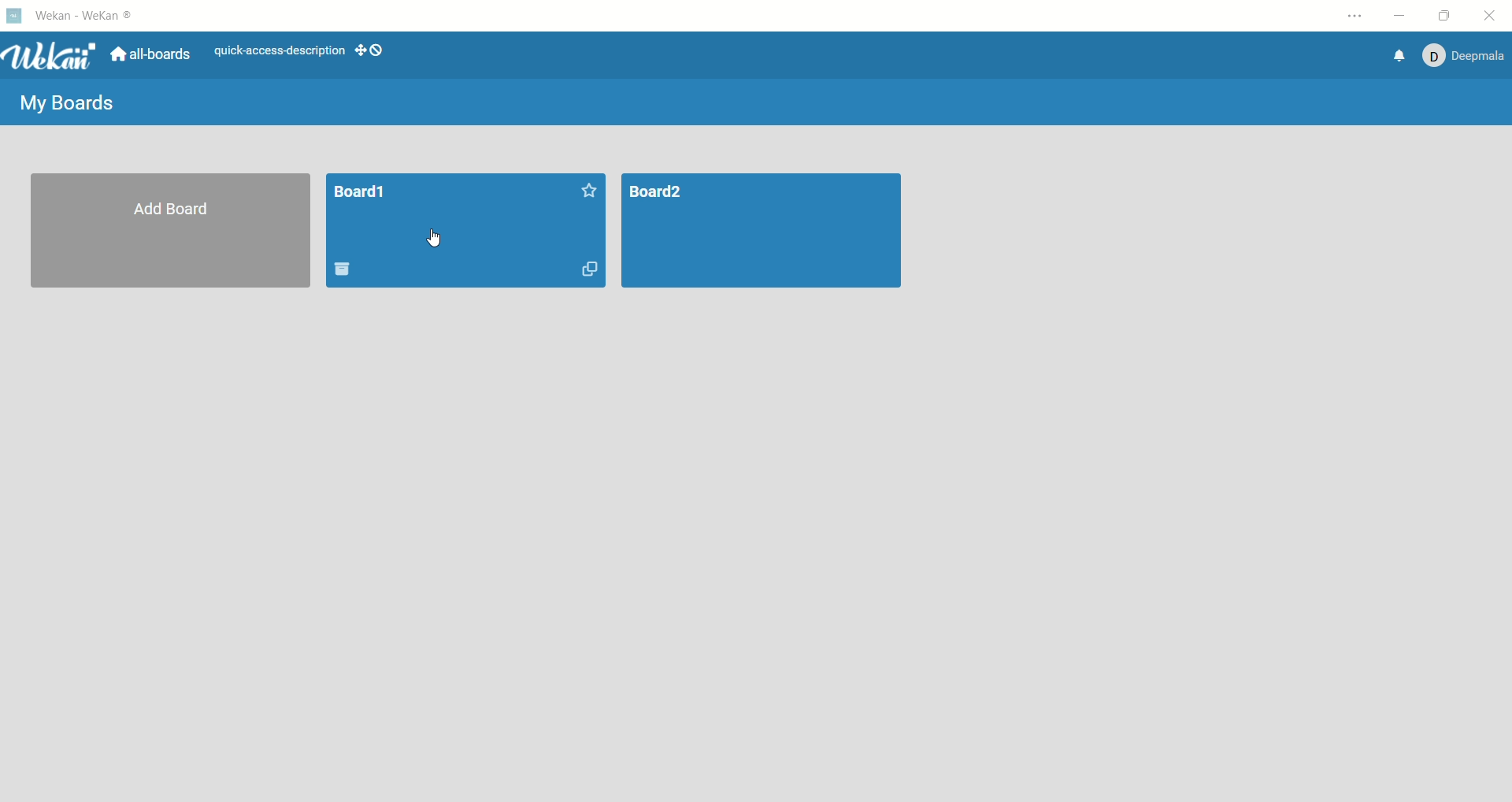 This screenshot has height=802, width=1512. Describe the element at coordinates (280, 51) in the screenshot. I see `text` at that location.